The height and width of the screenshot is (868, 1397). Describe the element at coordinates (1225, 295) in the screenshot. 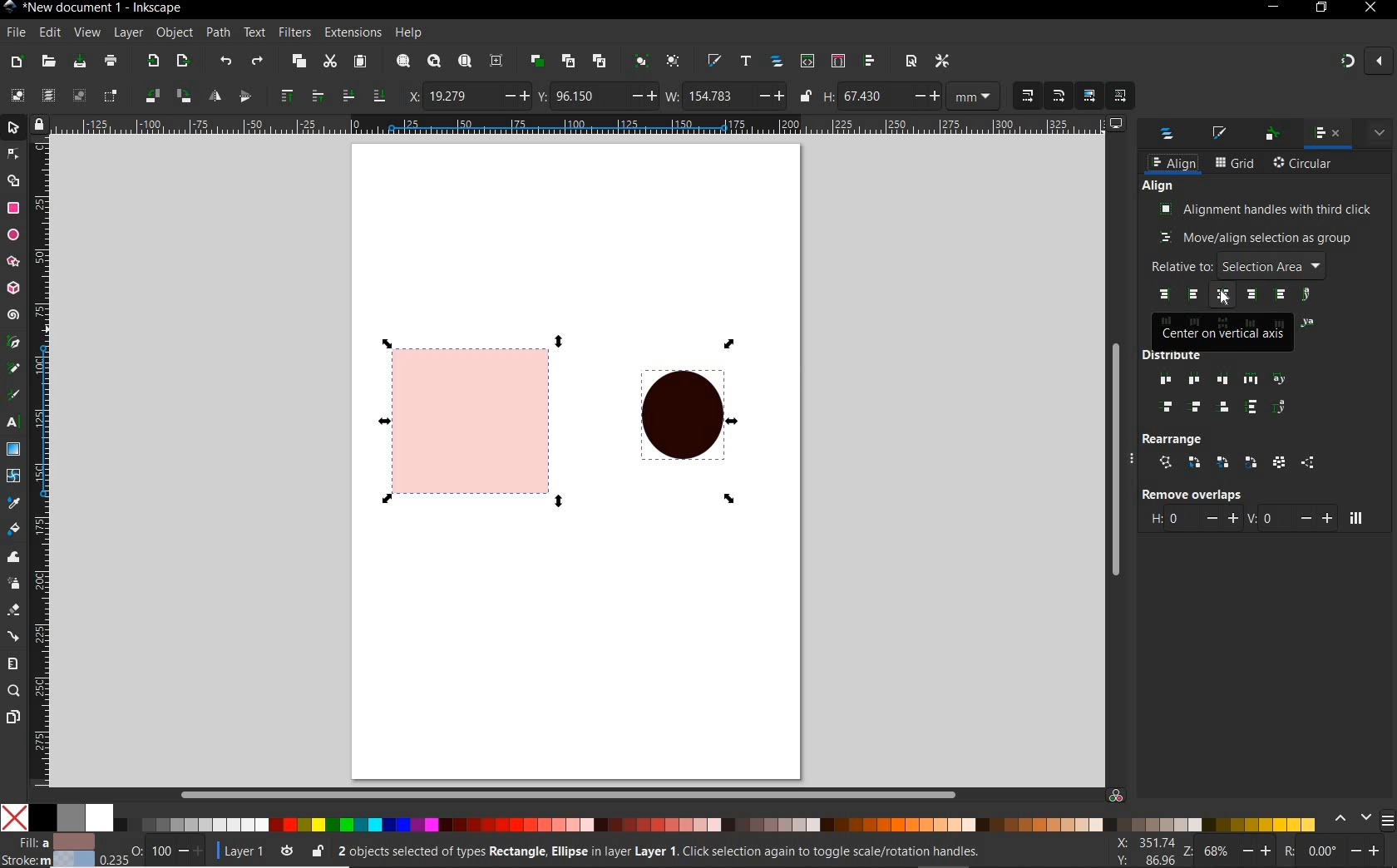

I see `CENTER ON VERTICAL AXIS` at that location.